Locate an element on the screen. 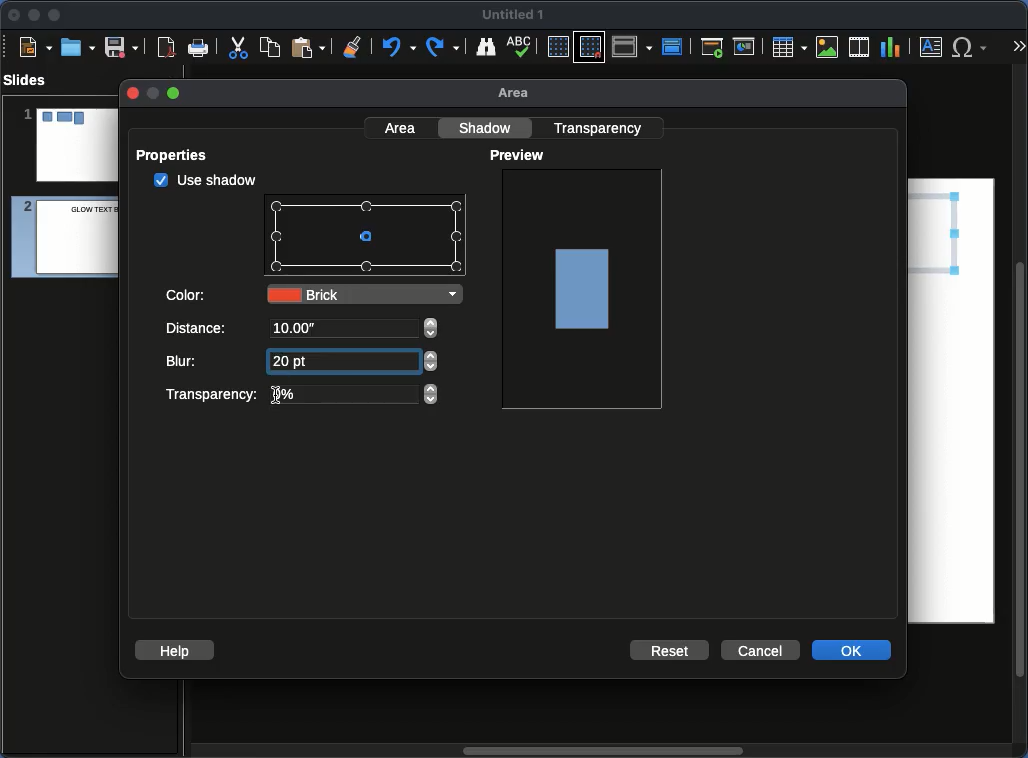 Image resolution: width=1028 pixels, height=758 pixels. 20 pt is located at coordinates (294, 363).